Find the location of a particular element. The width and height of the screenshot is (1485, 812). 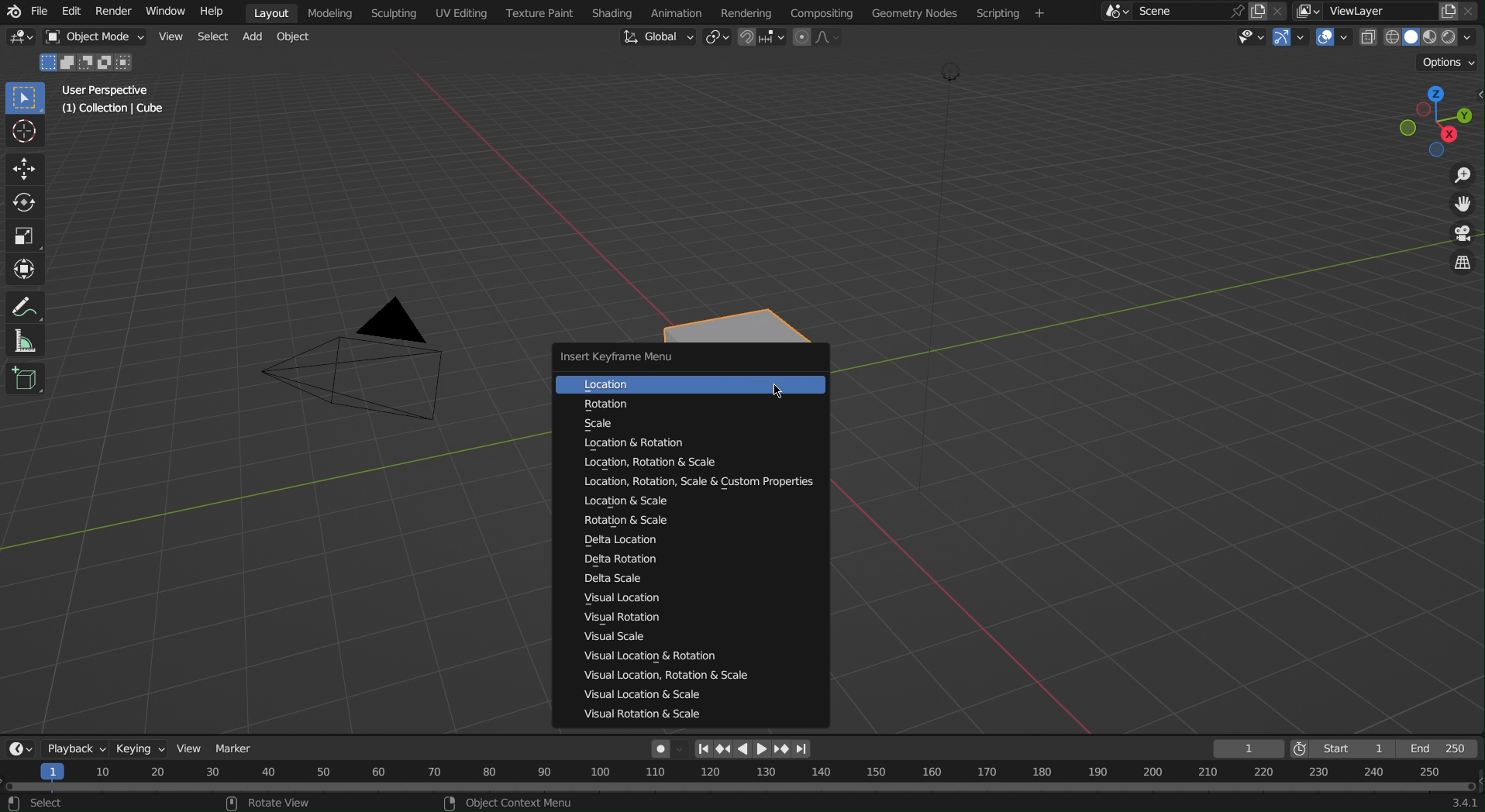

Scene is located at coordinates (1177, 12).